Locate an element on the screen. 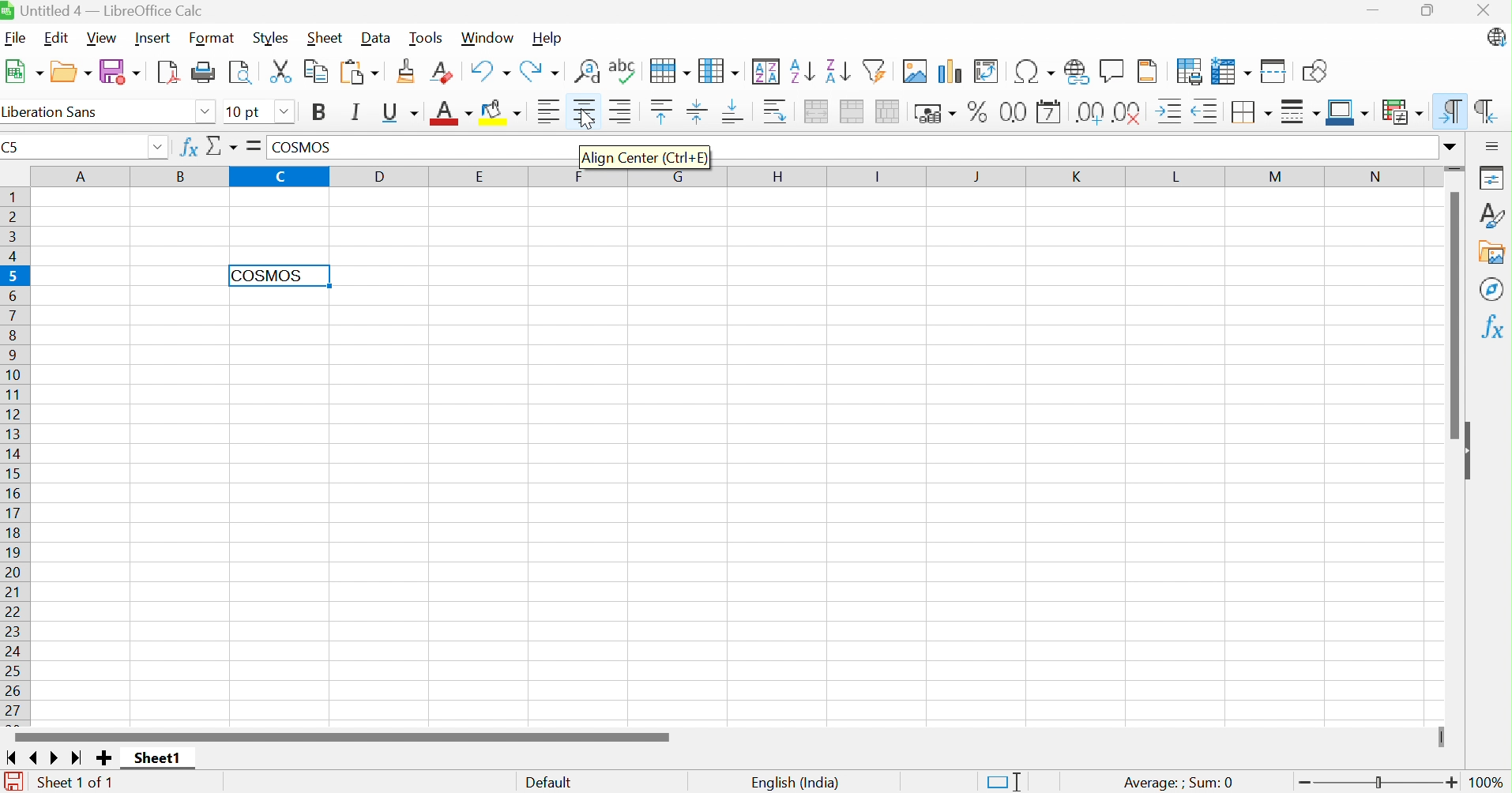 The image size is (1512, 793). Column is located at coordinates (720, 71).